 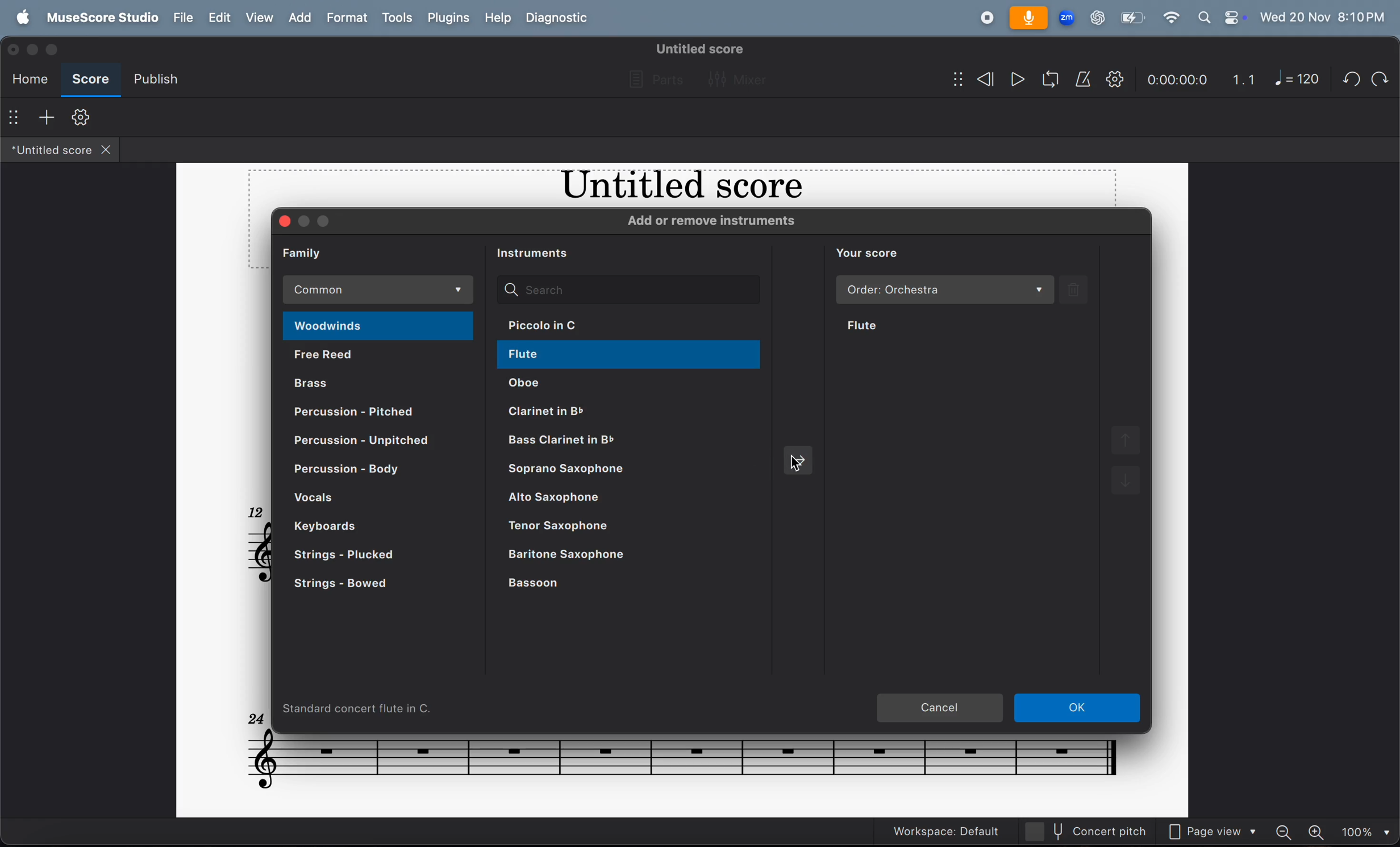 I want to click on home, so click(x=31, y=78).